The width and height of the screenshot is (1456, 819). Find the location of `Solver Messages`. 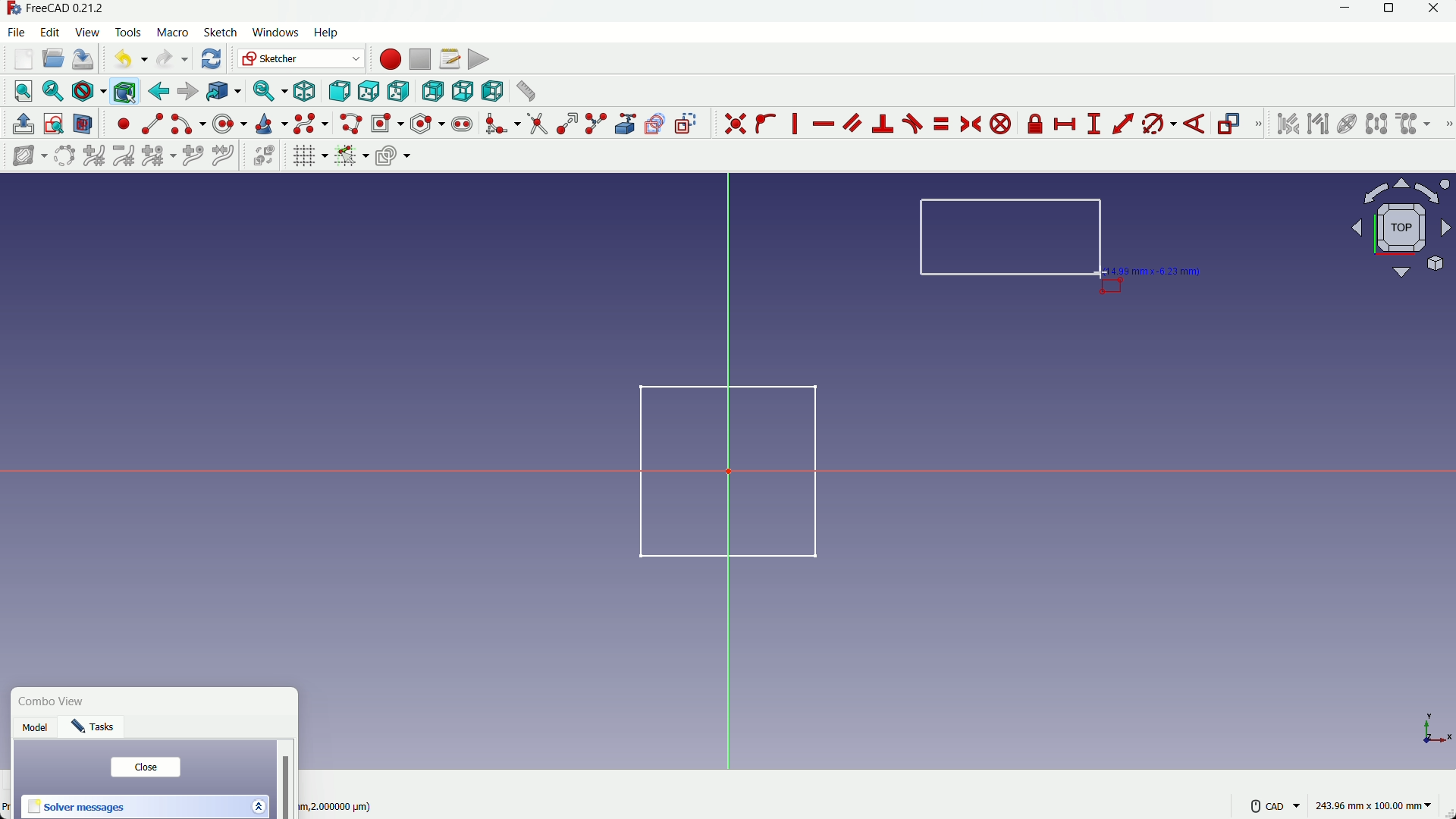

Solver Messages is located at coordinates (77, 808).